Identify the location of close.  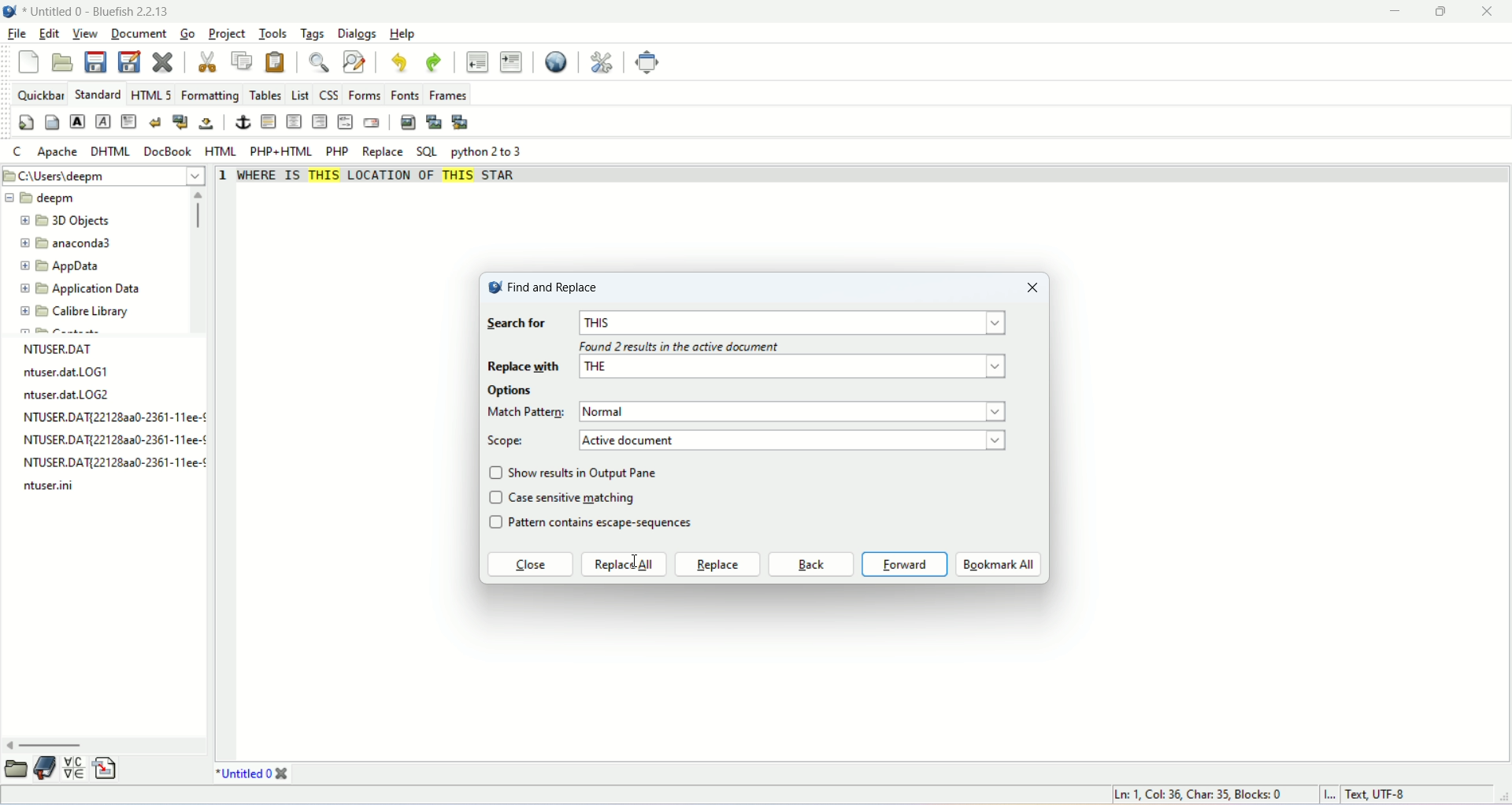
(1033, 289).